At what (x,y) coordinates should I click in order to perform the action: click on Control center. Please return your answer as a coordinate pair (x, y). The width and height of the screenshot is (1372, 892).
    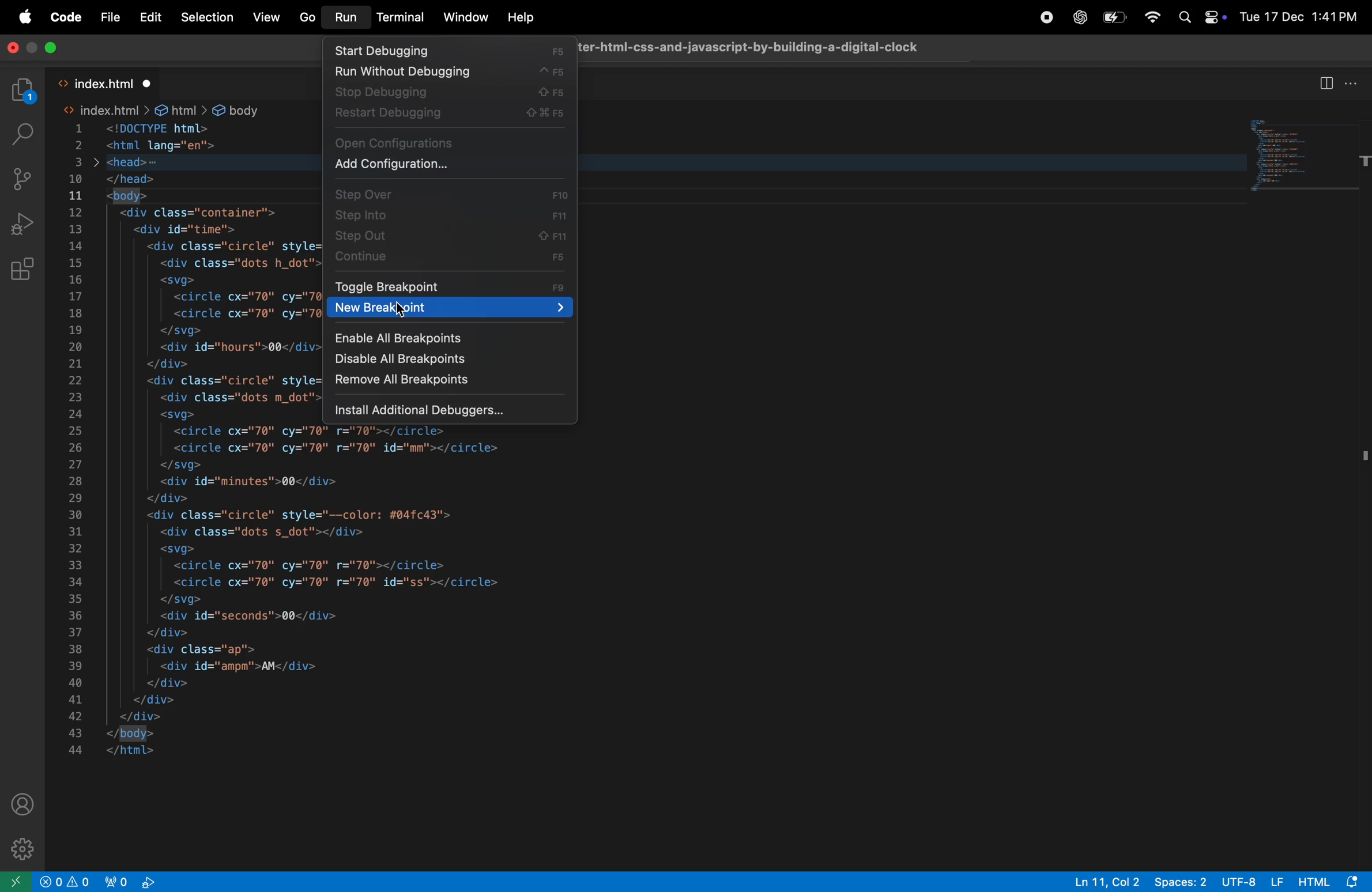
    Looking at the image, I should click on (1213, 16).